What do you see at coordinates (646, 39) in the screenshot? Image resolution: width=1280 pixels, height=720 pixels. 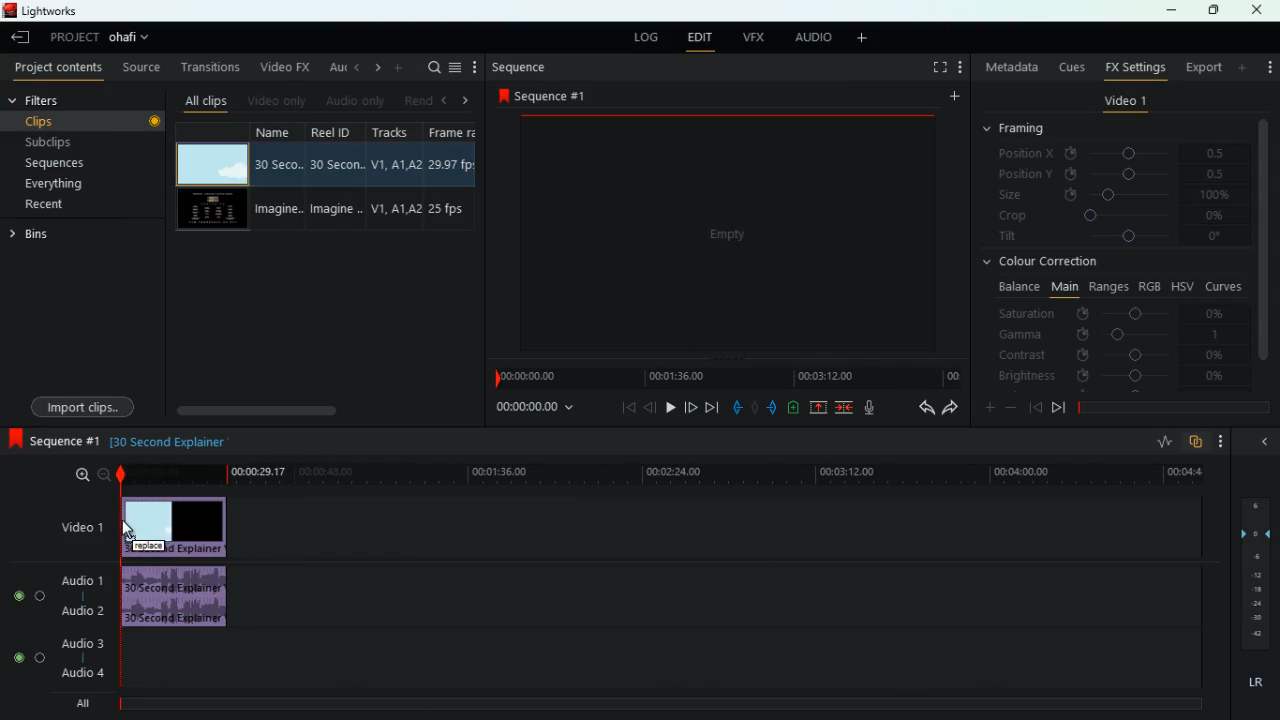 I see `log` at bounding box center [646, 39].